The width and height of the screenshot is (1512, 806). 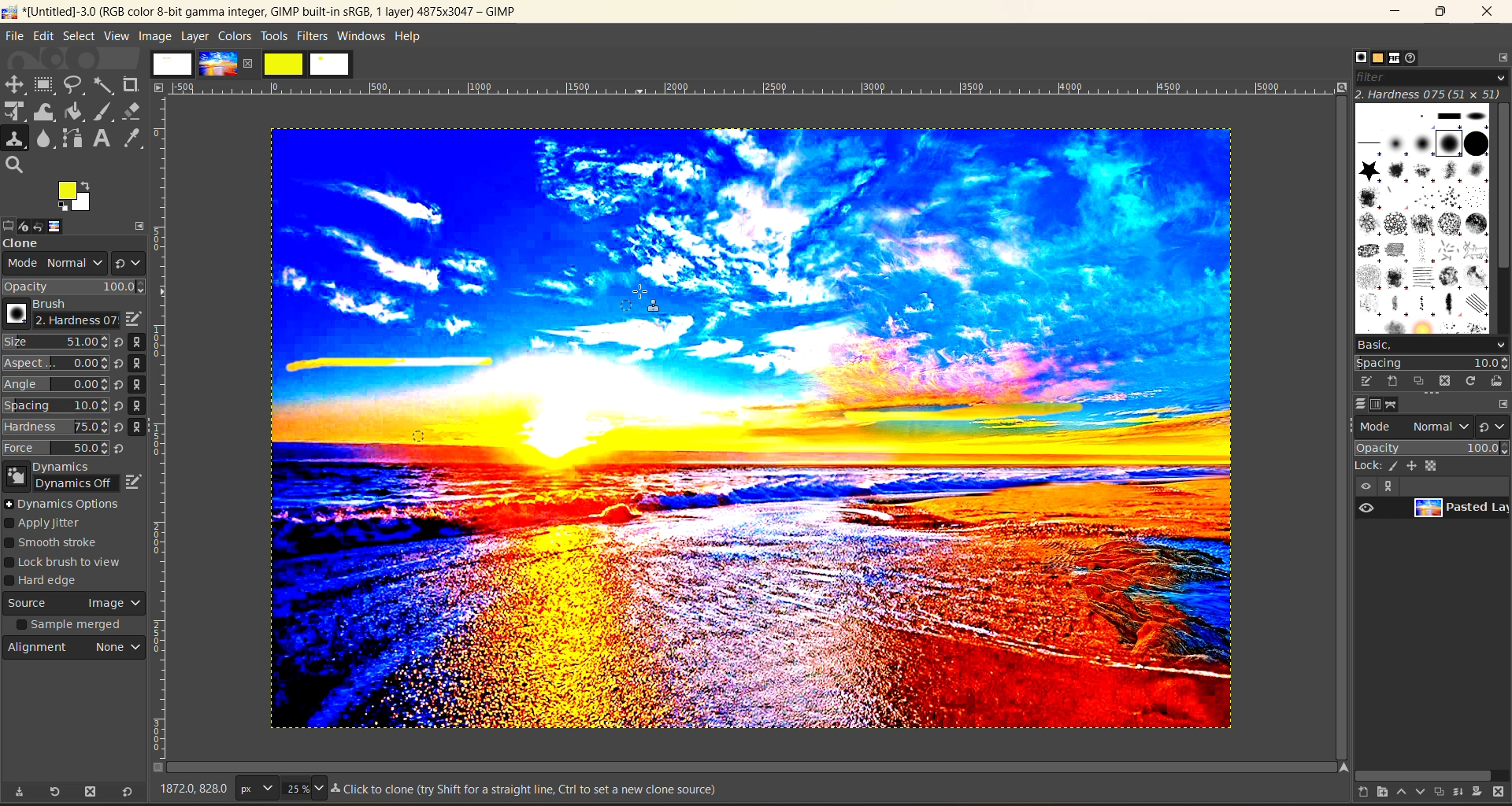 What do you see at coordinates (1429, 76) in the screenshot?
I see `filter` at bounding box center [1429, 76].